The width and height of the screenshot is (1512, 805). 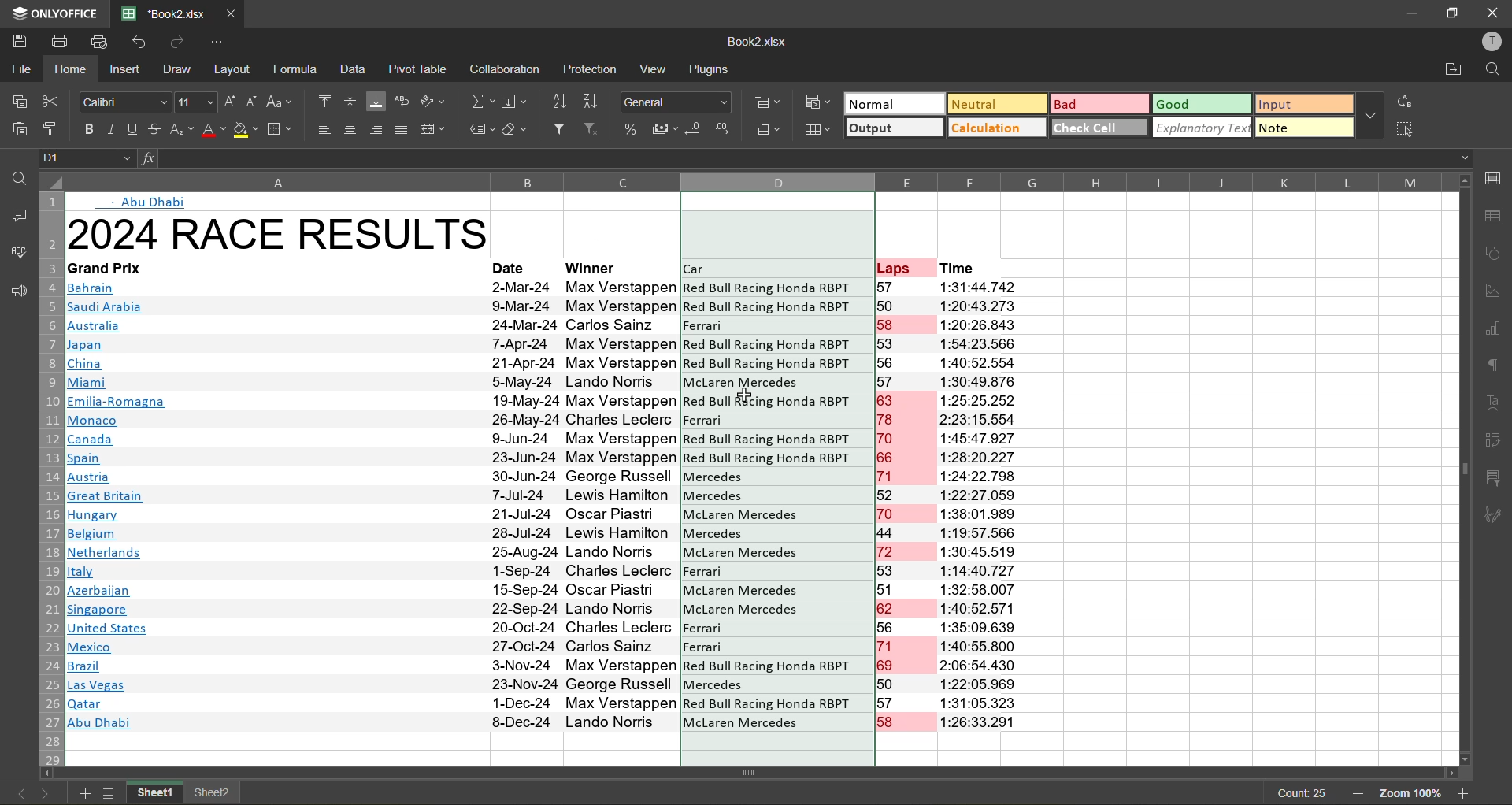 I want to click on slicer, so click(x=1498, y=481).